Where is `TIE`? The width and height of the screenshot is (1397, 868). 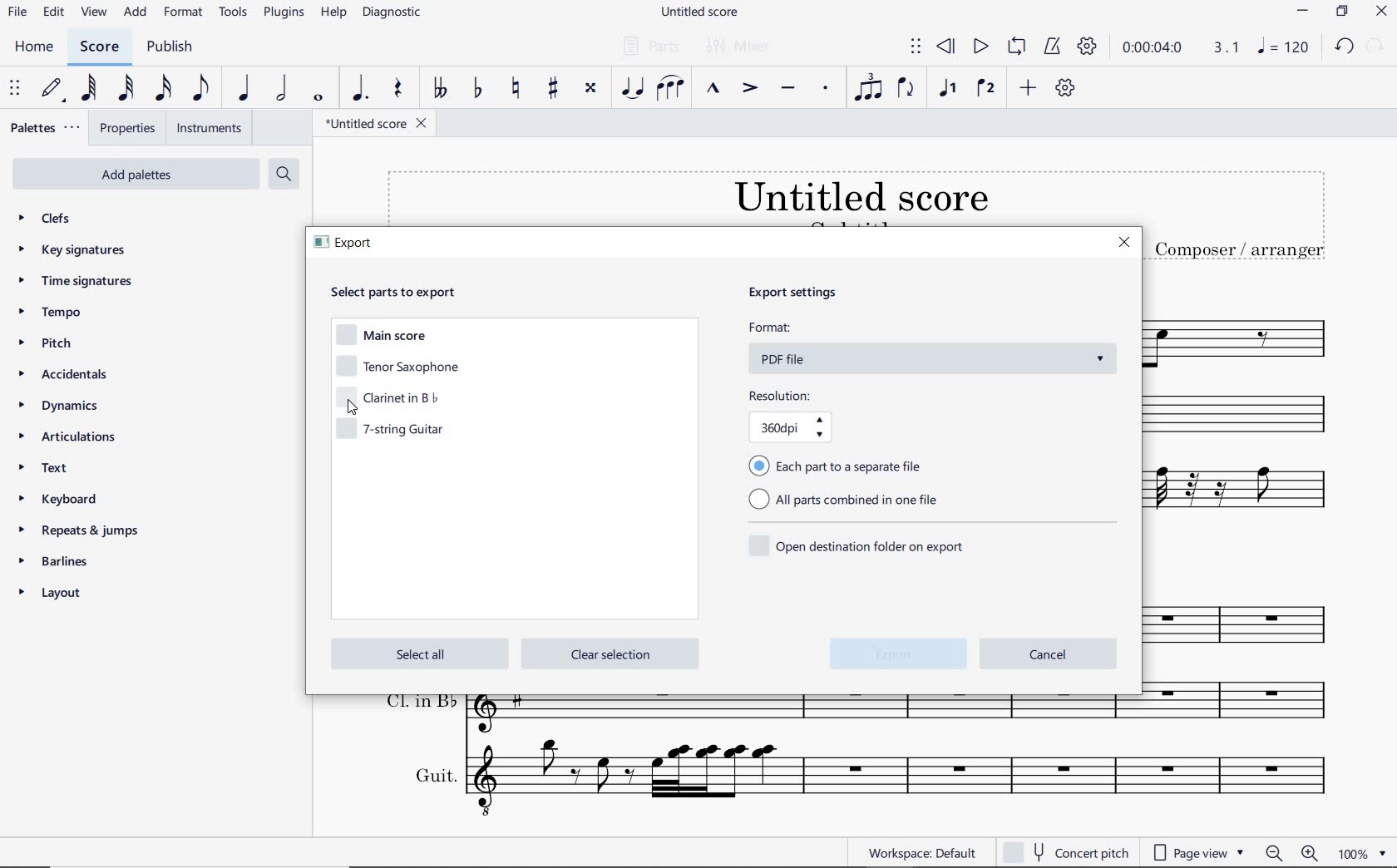
TIE is located at coordinates (629, 87).